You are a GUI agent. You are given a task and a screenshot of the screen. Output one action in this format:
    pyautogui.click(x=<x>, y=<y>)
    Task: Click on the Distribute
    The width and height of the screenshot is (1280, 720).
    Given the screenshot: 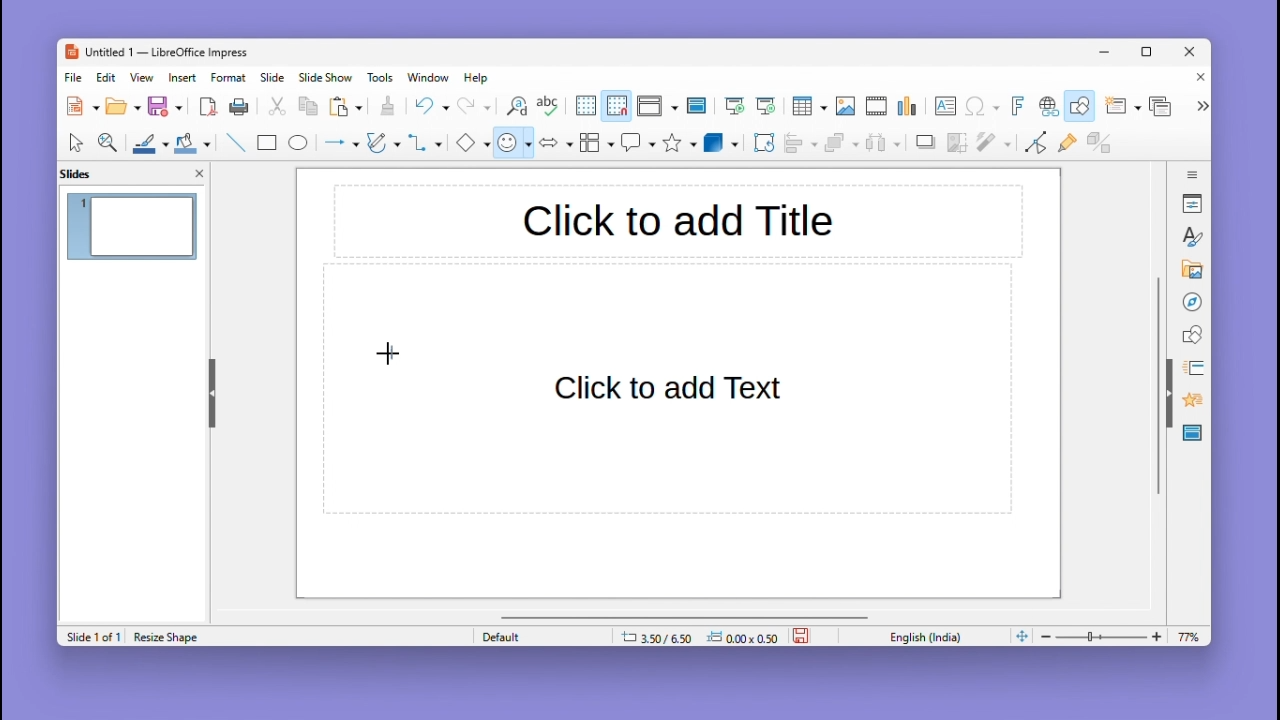 What is the action you would take?
    pyautogui.click(x=886, y=145)
    